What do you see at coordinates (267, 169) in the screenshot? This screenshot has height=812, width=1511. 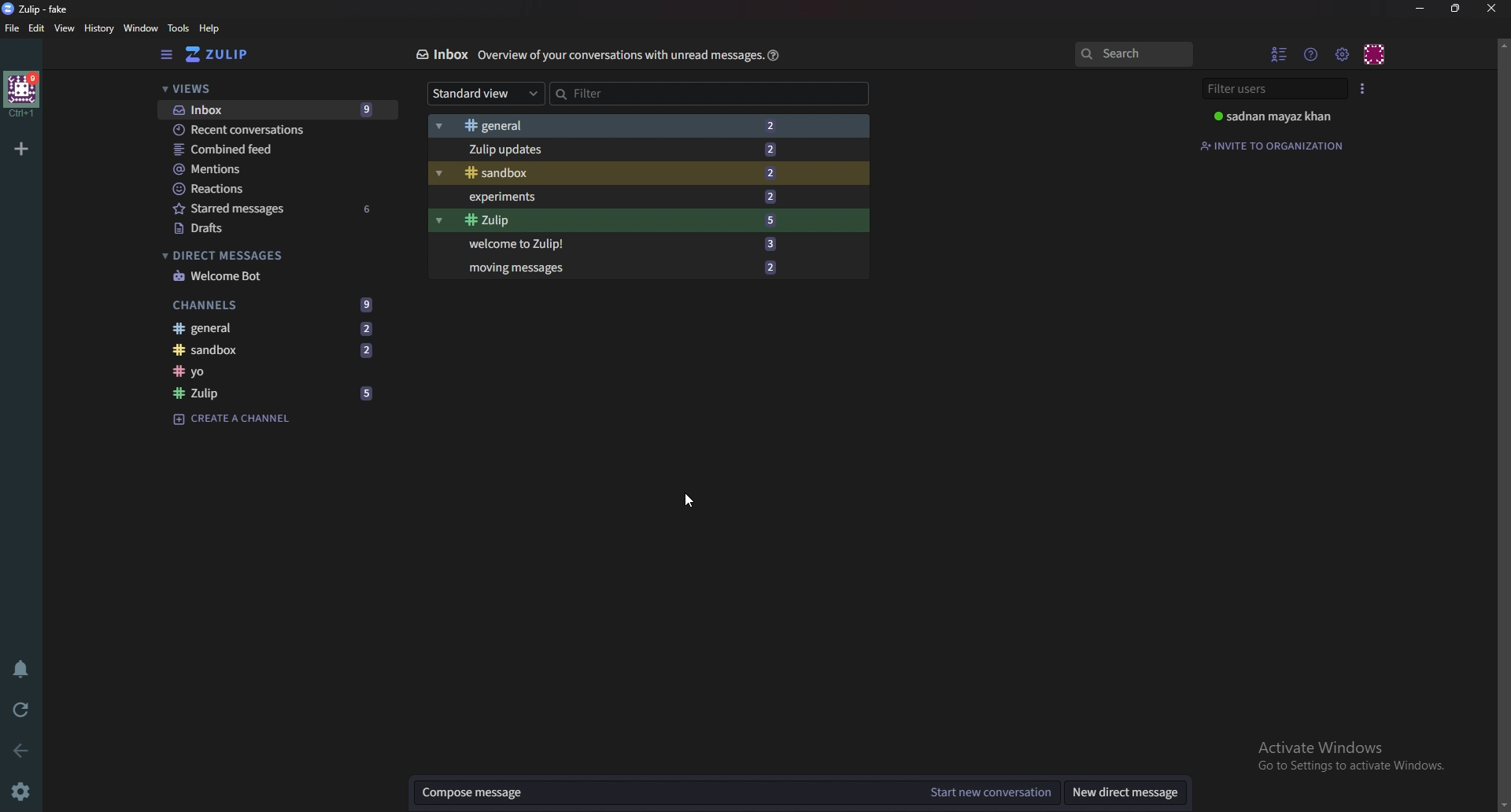 I see `Mentions` at bounding box center [267, 169].